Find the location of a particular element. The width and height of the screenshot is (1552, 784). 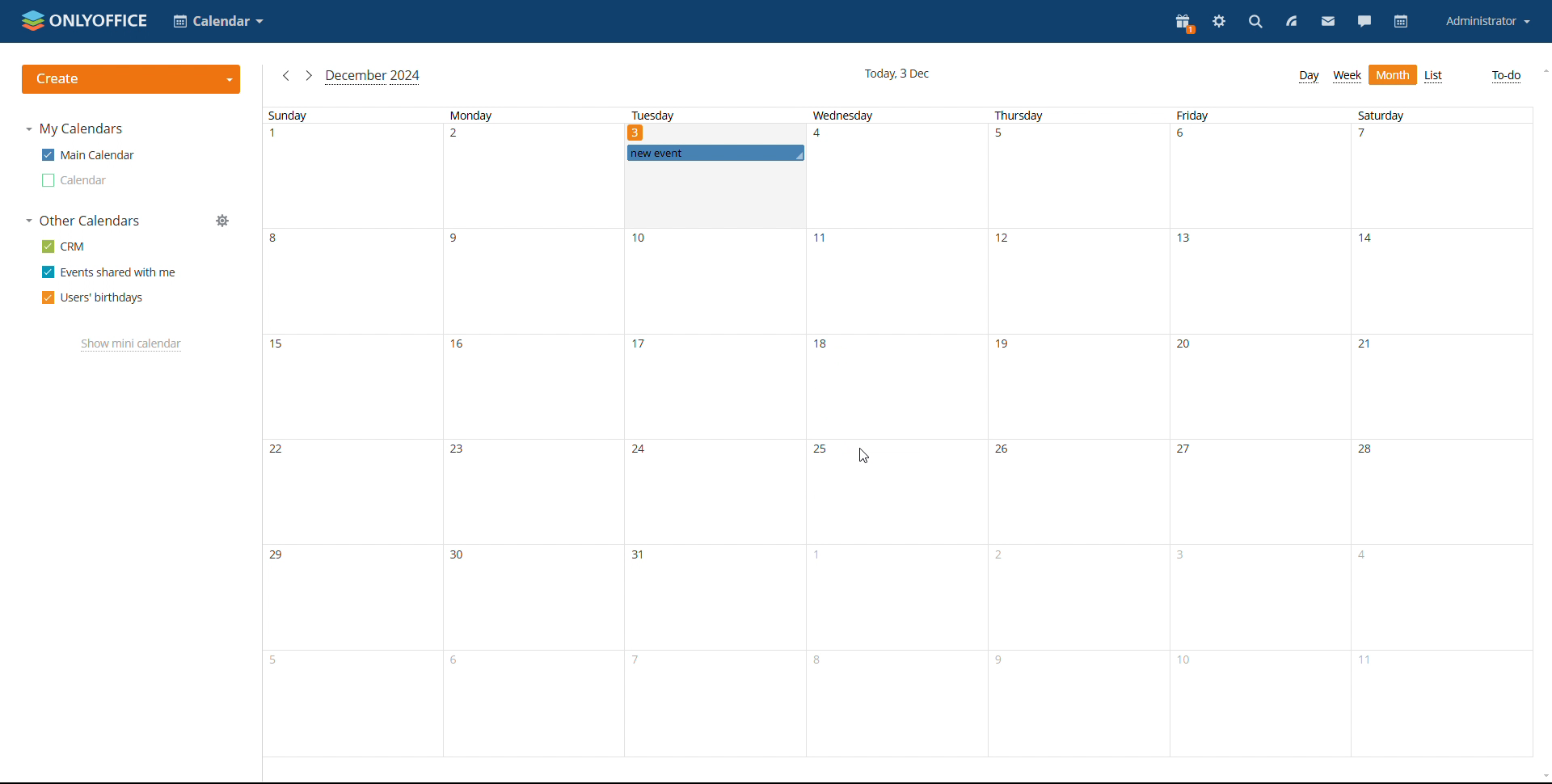

crm is located at coordinates (63, 246).